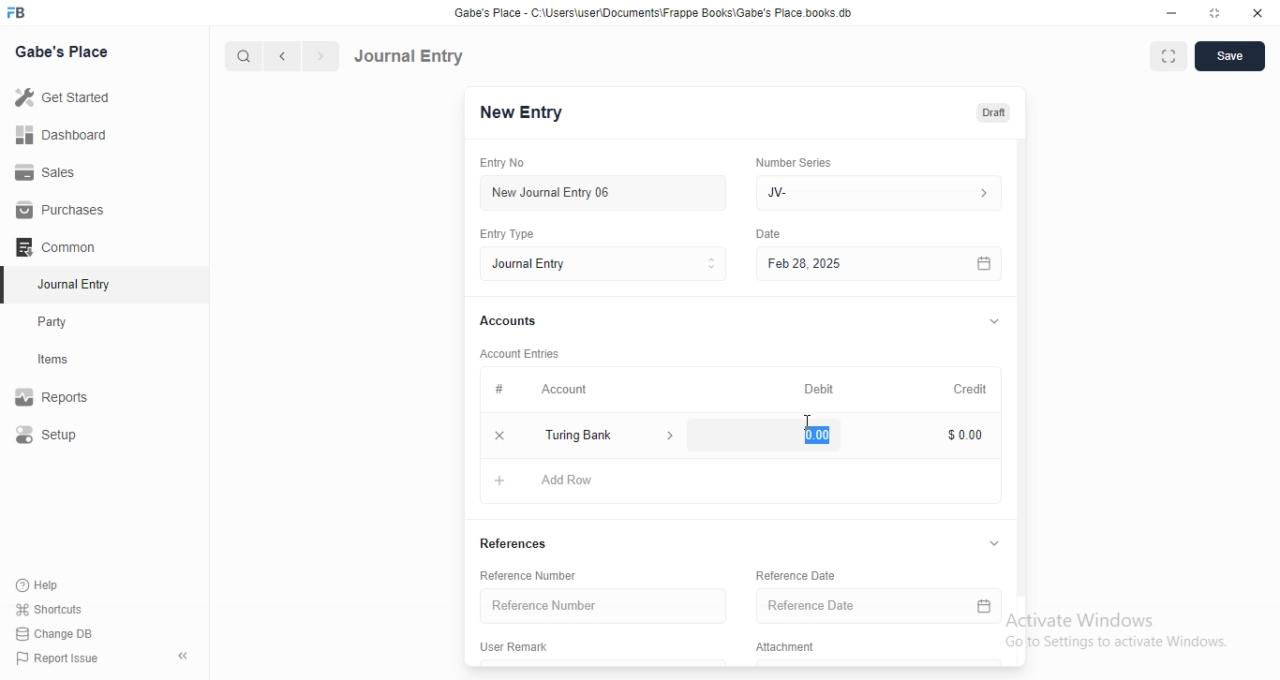  What do you see at coordinates (64, 171) in the screenshot?
I see `Sales` at bounding box center [64, 171].